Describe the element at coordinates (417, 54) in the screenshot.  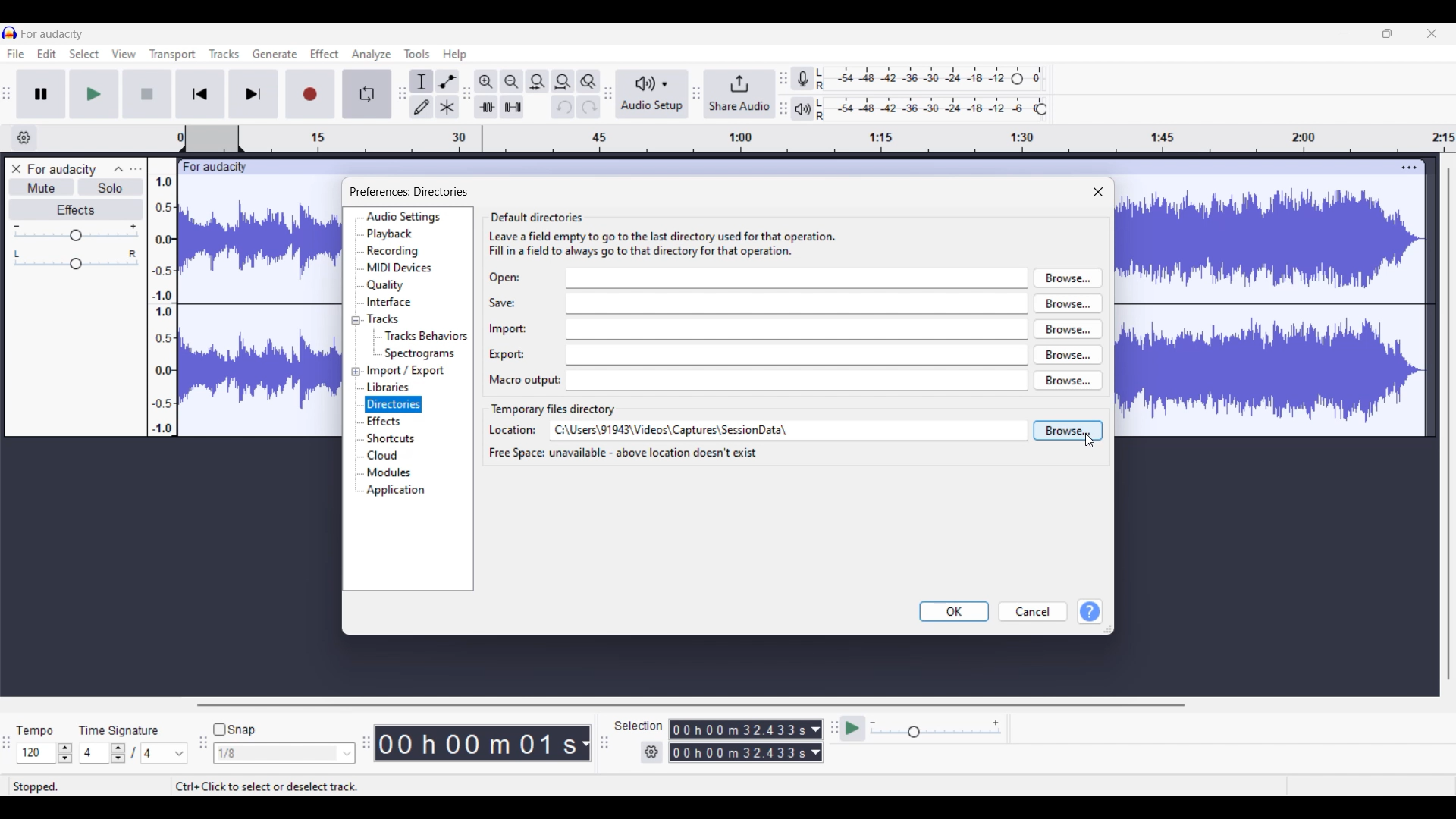
I see `Tools menu` at that location.